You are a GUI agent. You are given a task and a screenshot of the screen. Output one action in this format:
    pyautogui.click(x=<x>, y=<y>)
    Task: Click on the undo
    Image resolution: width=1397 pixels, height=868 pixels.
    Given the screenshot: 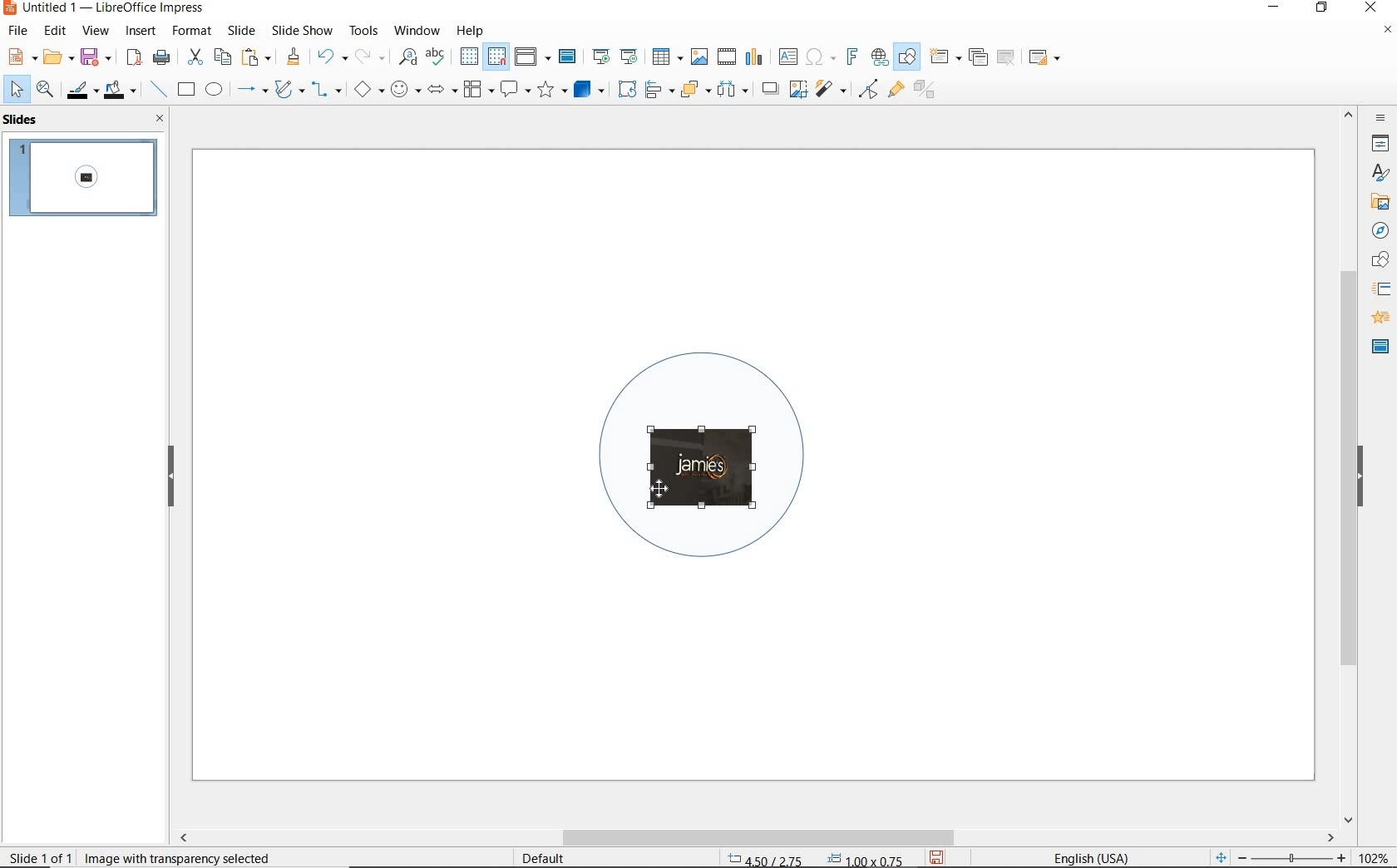 What is the action you would take?
    pyautogui.click(x=329, y=58)
    